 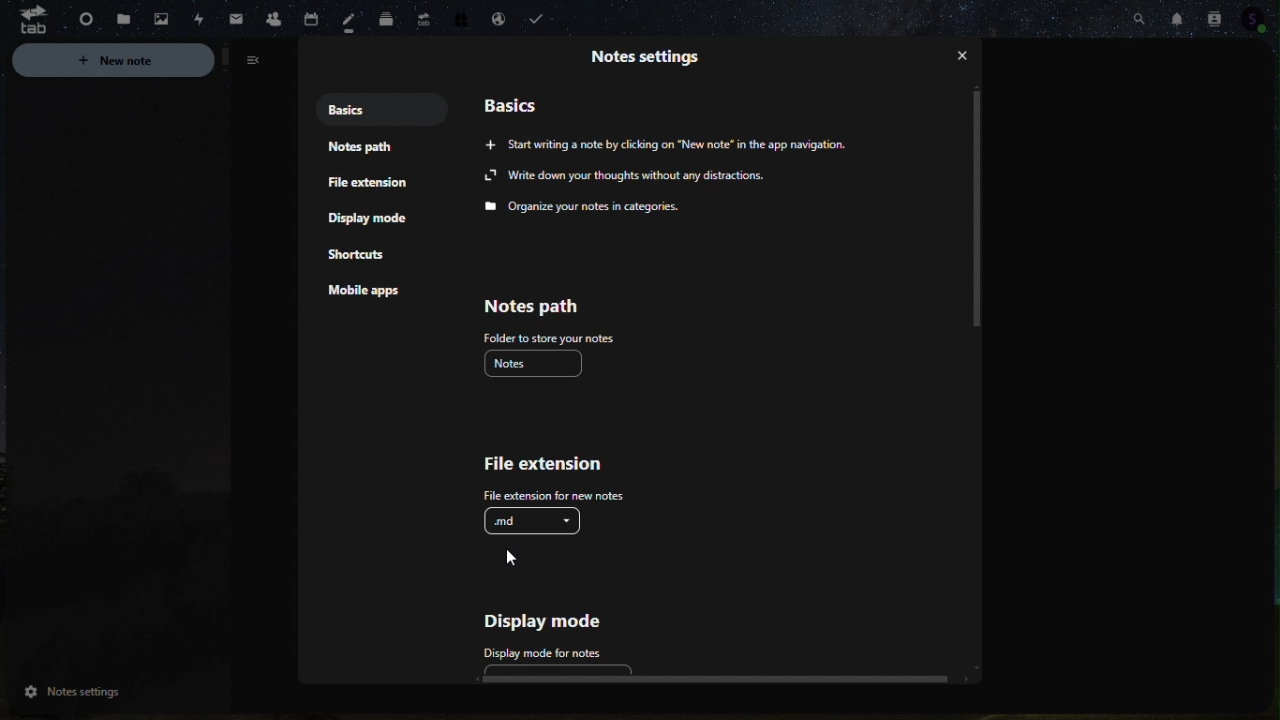 I want to click on upgrade, so click(x=422, y=17).